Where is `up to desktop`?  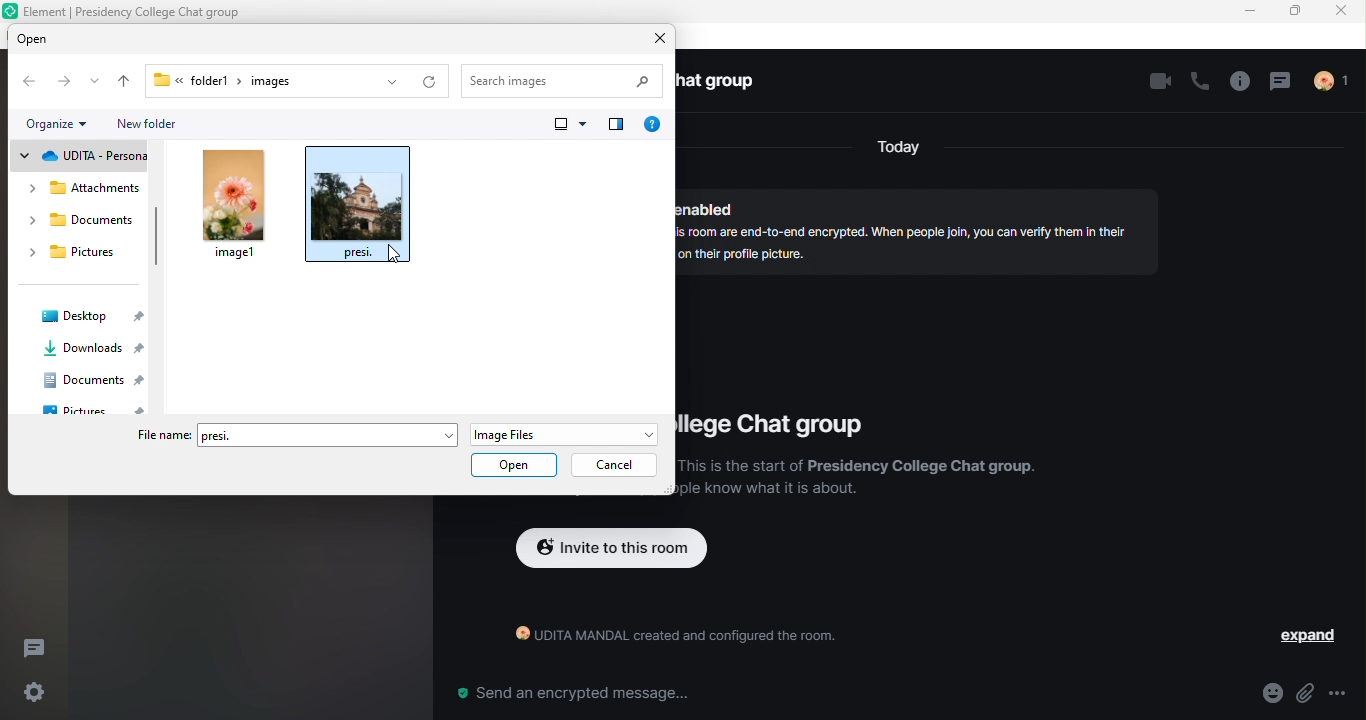 up to desktop is located at coordinates (122, 82).